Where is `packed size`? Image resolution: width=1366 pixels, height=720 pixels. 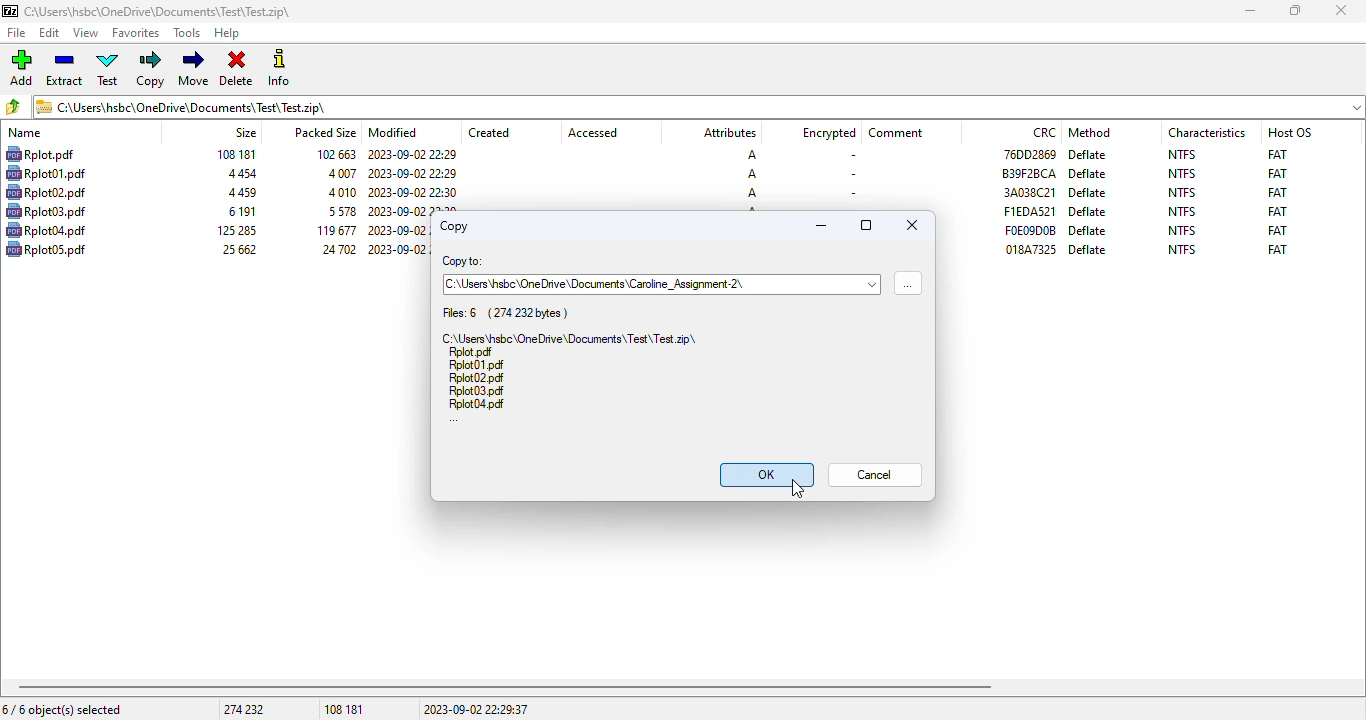 packed size is located at coordinates (338, 211).